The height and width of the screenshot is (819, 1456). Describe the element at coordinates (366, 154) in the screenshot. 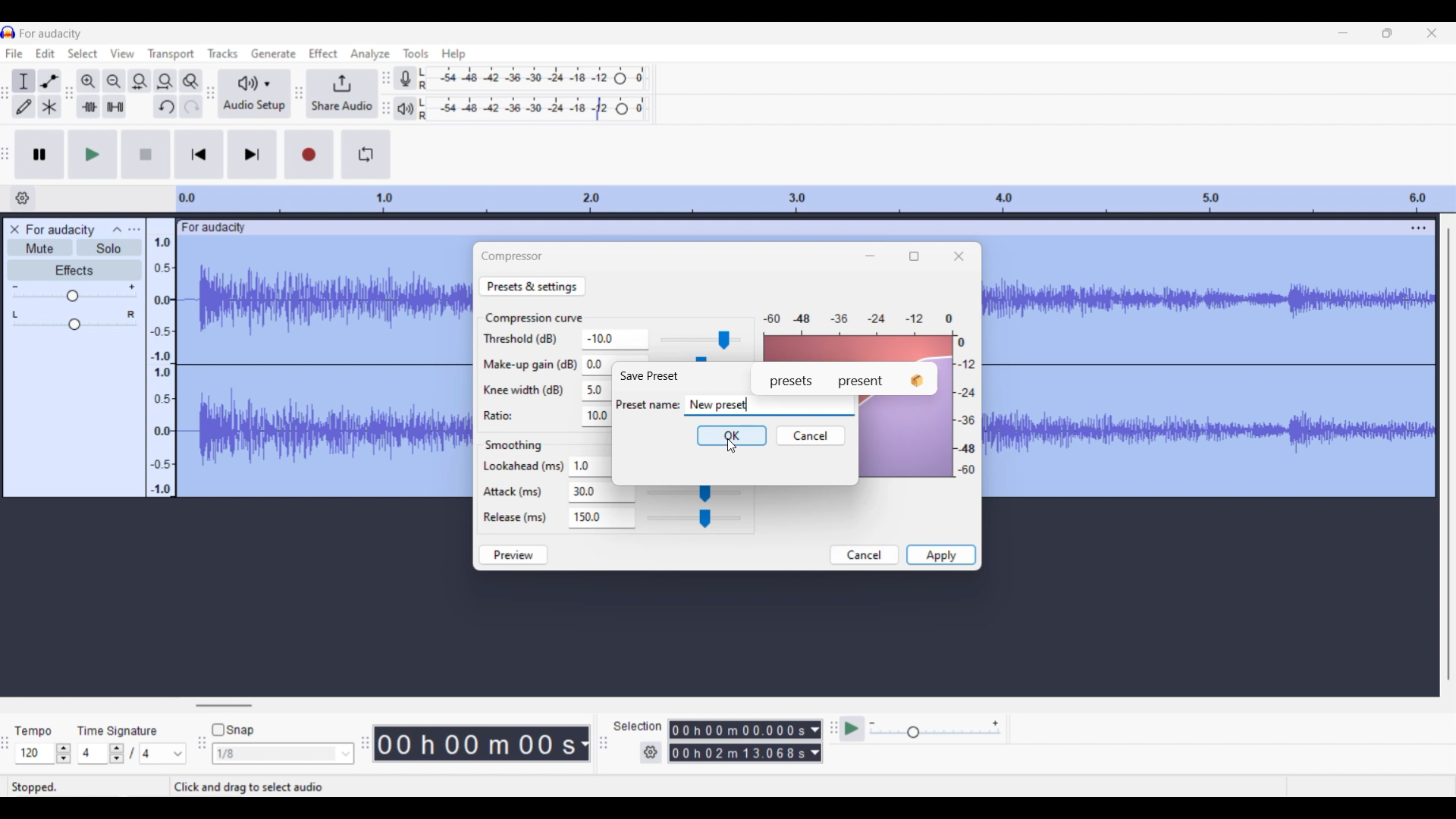

I see `Enable looping` at that location.